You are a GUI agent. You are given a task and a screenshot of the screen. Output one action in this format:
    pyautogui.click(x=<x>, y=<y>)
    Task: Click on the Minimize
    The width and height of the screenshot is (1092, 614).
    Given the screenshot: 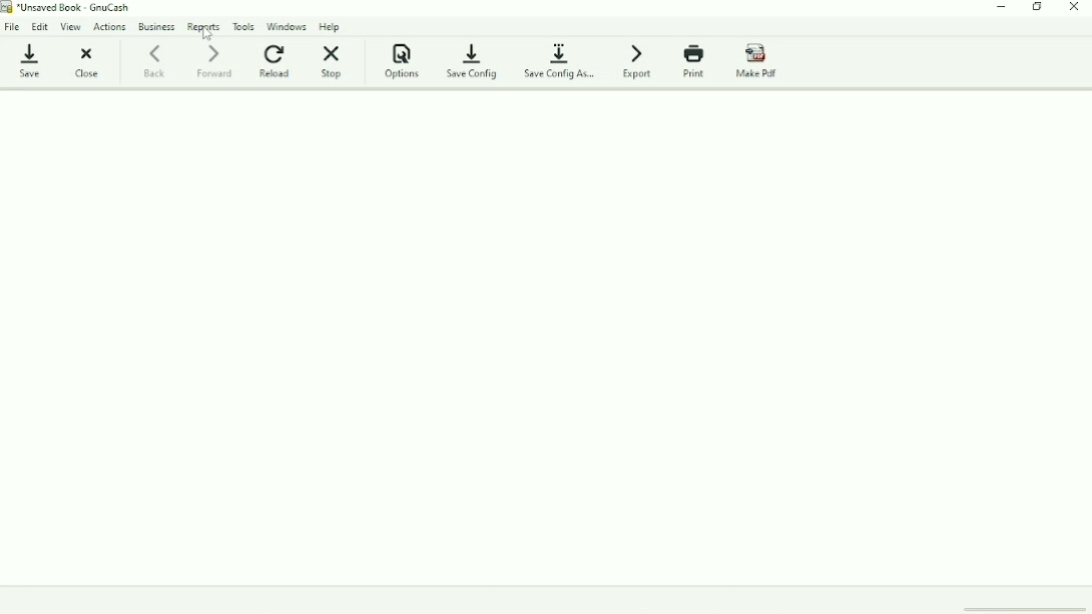 What is the action you would take?
    pyautogui.click(x=1004, y=8)
    